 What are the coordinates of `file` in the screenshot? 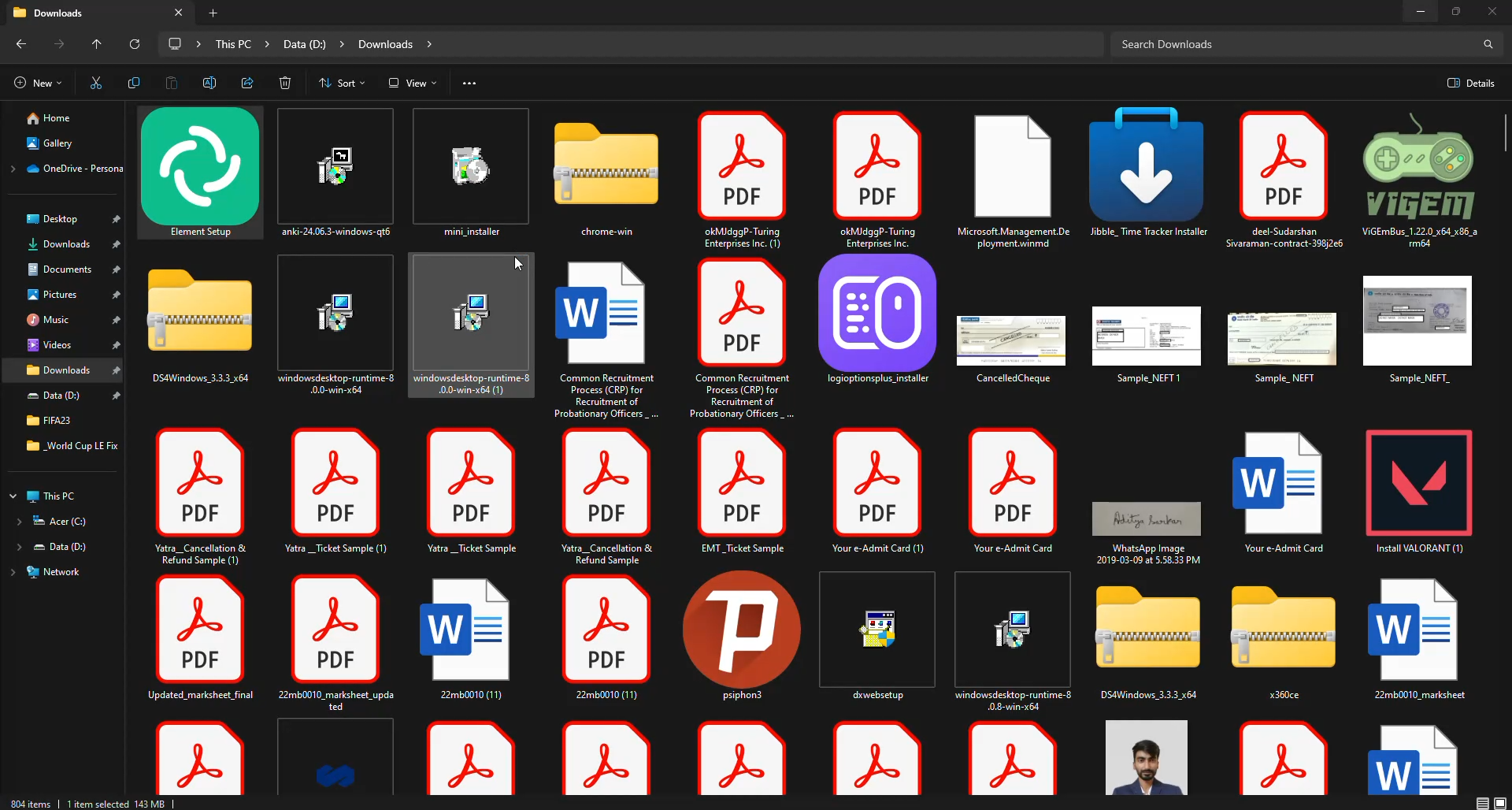 It's located at (1012, 759).